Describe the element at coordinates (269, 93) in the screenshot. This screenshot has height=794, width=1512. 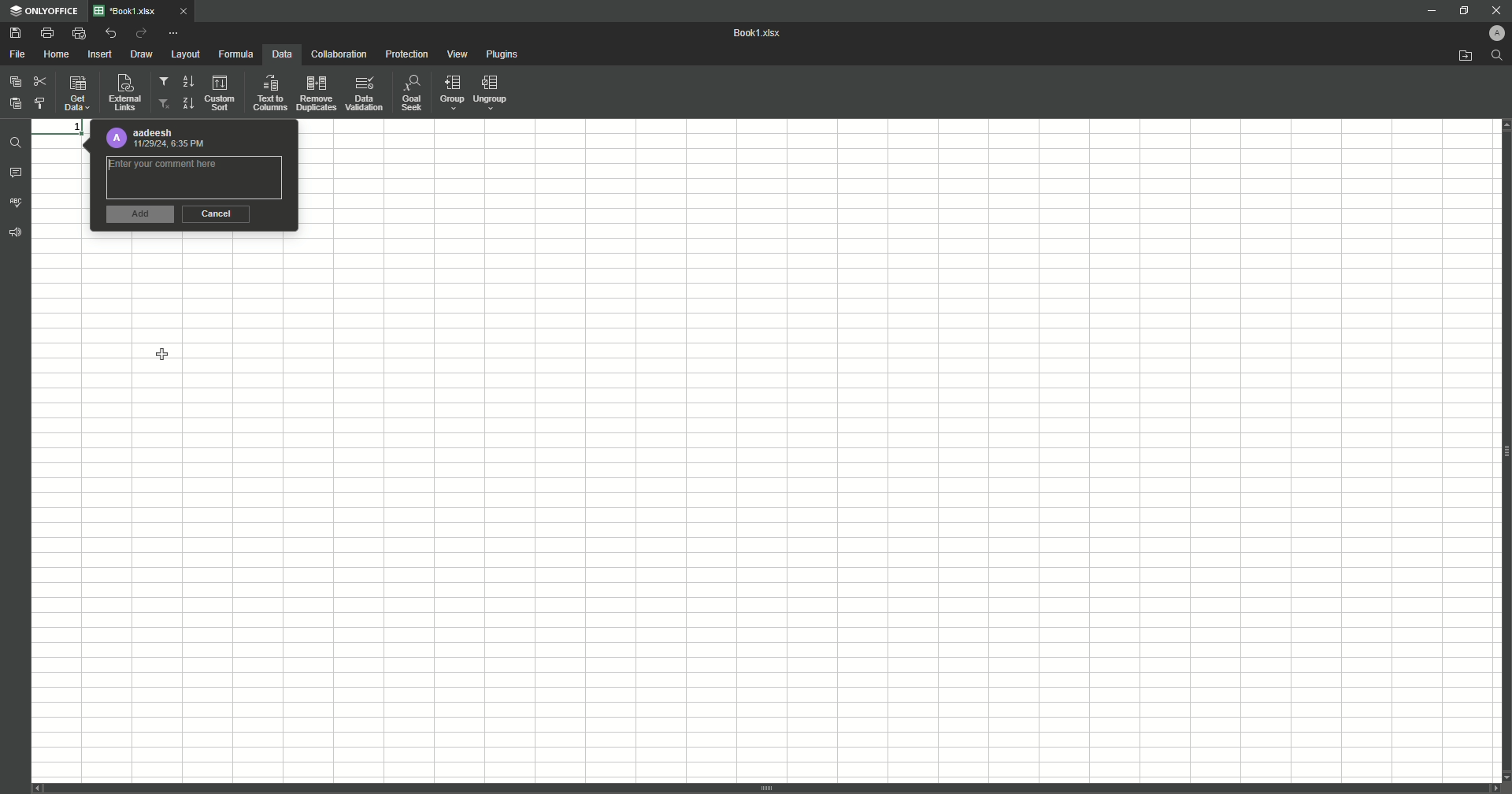
I see `Text to Columns` at that location.